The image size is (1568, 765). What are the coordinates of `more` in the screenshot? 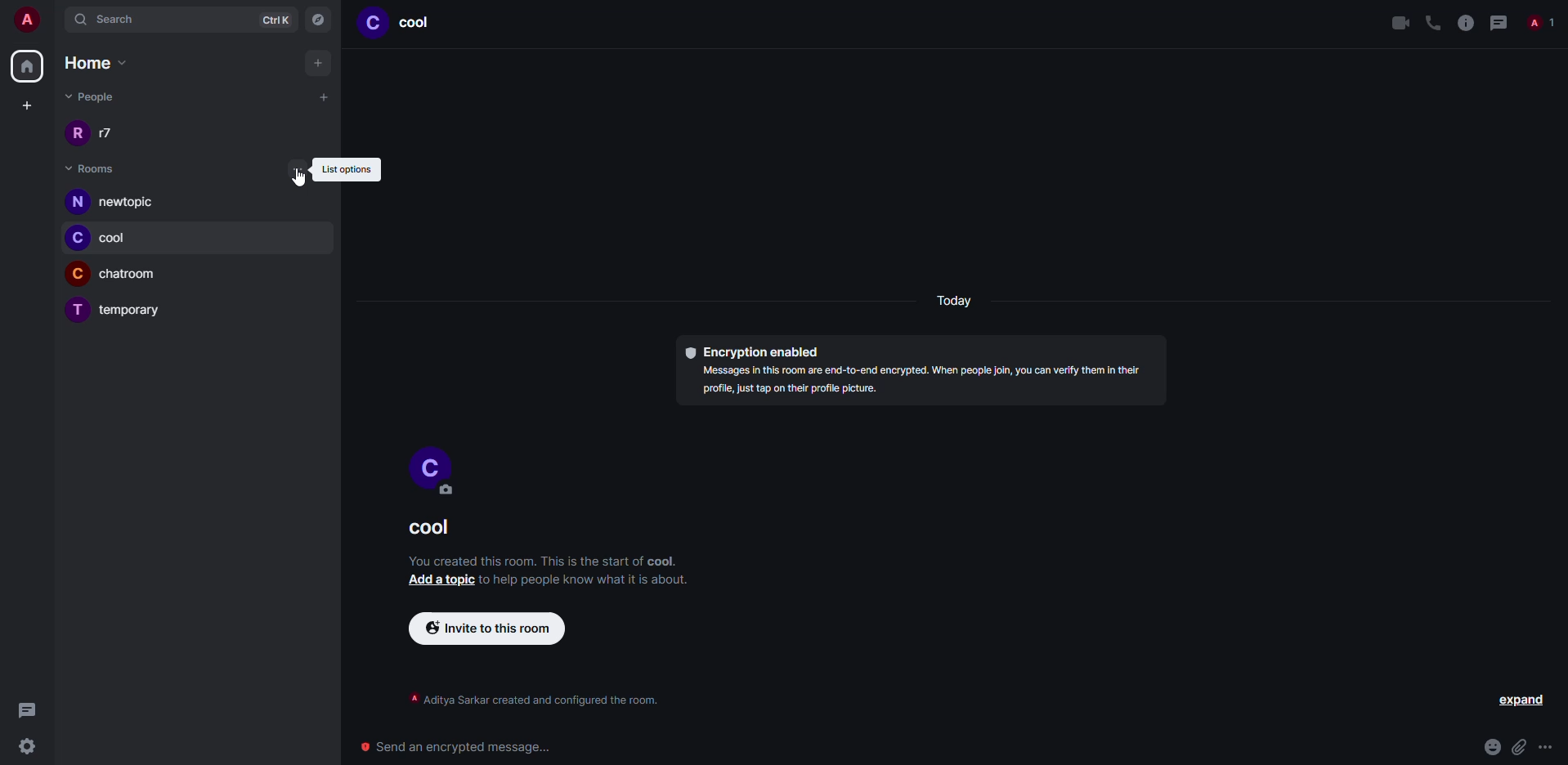 It's located at (1545, 747).